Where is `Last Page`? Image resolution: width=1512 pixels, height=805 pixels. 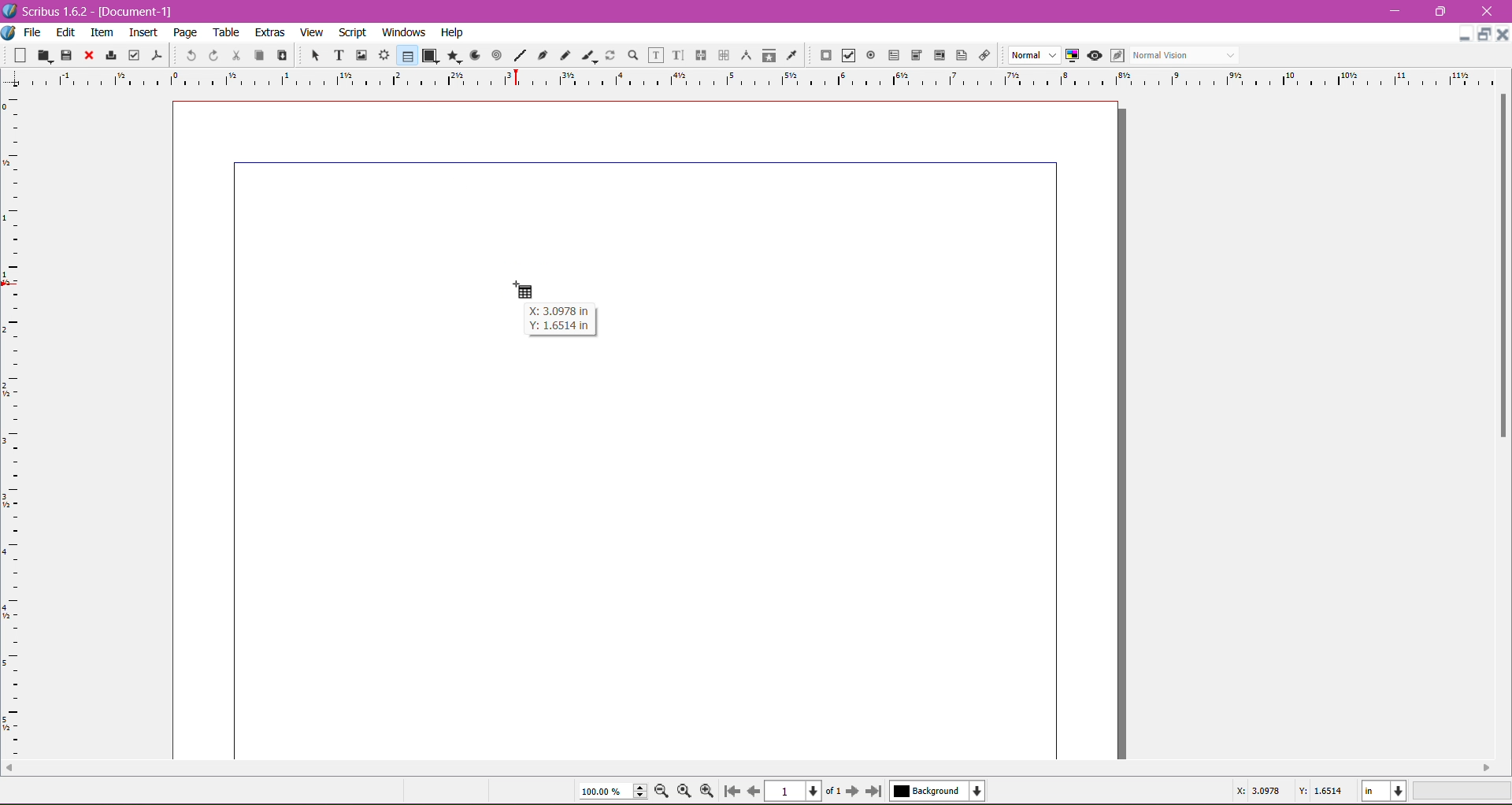
Last Page is located at coordinates (877, 792).